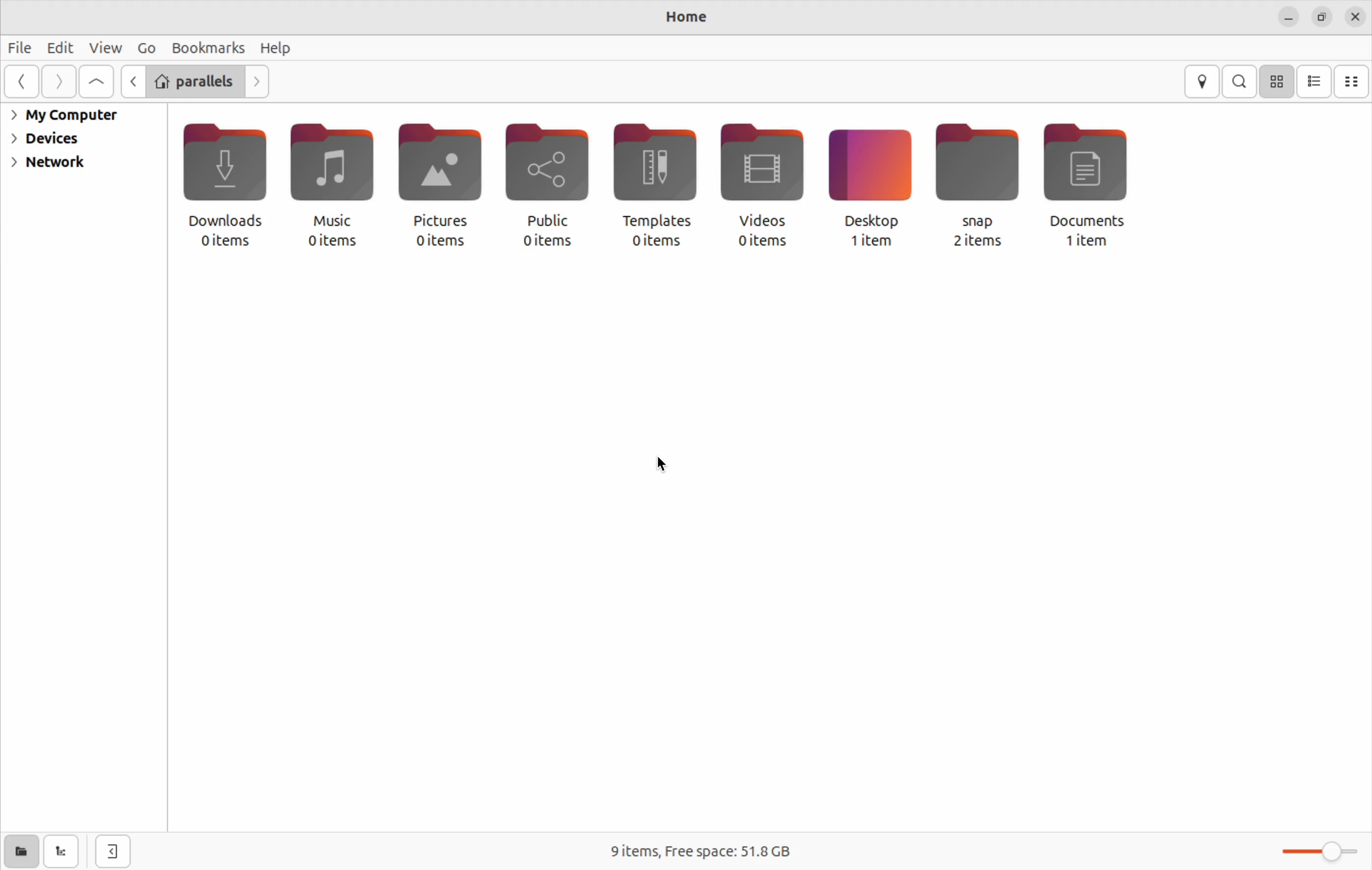 This screenshot has height=870, width=1372. I want to click on next, so click(260, 81).